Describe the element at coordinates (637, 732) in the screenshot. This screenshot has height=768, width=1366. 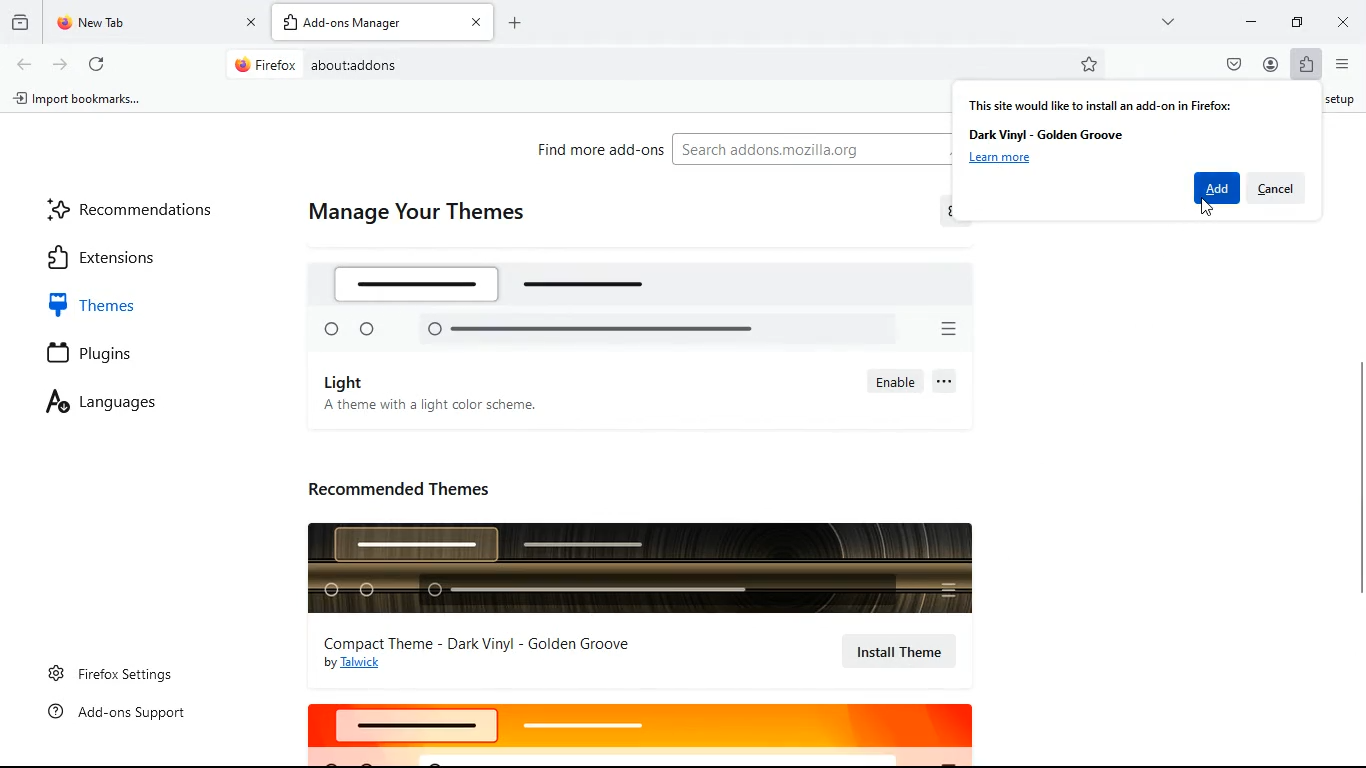
I see `logo` at that location.